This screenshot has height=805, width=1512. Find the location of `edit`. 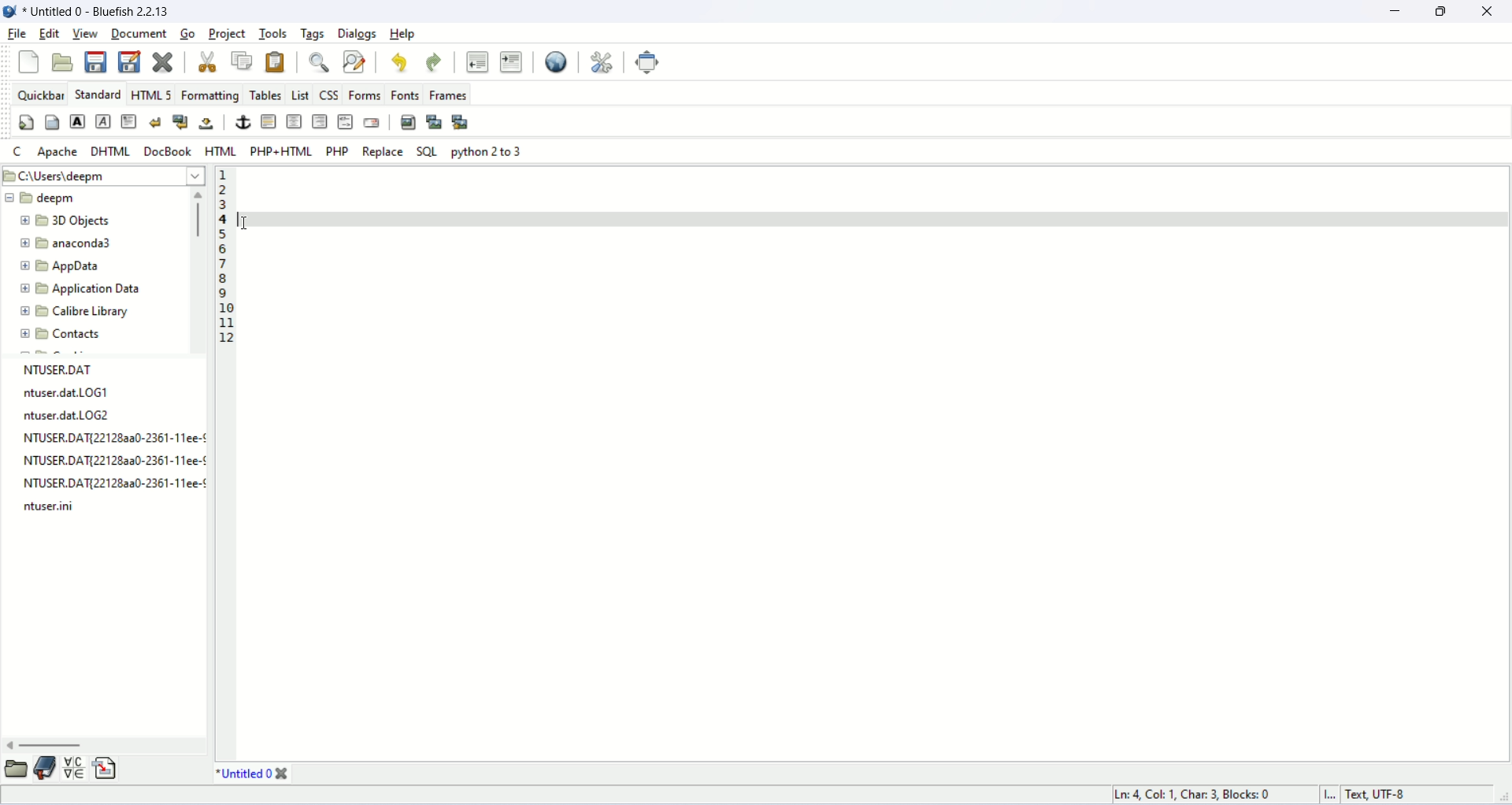

edit is located at coordinates (48, 32).